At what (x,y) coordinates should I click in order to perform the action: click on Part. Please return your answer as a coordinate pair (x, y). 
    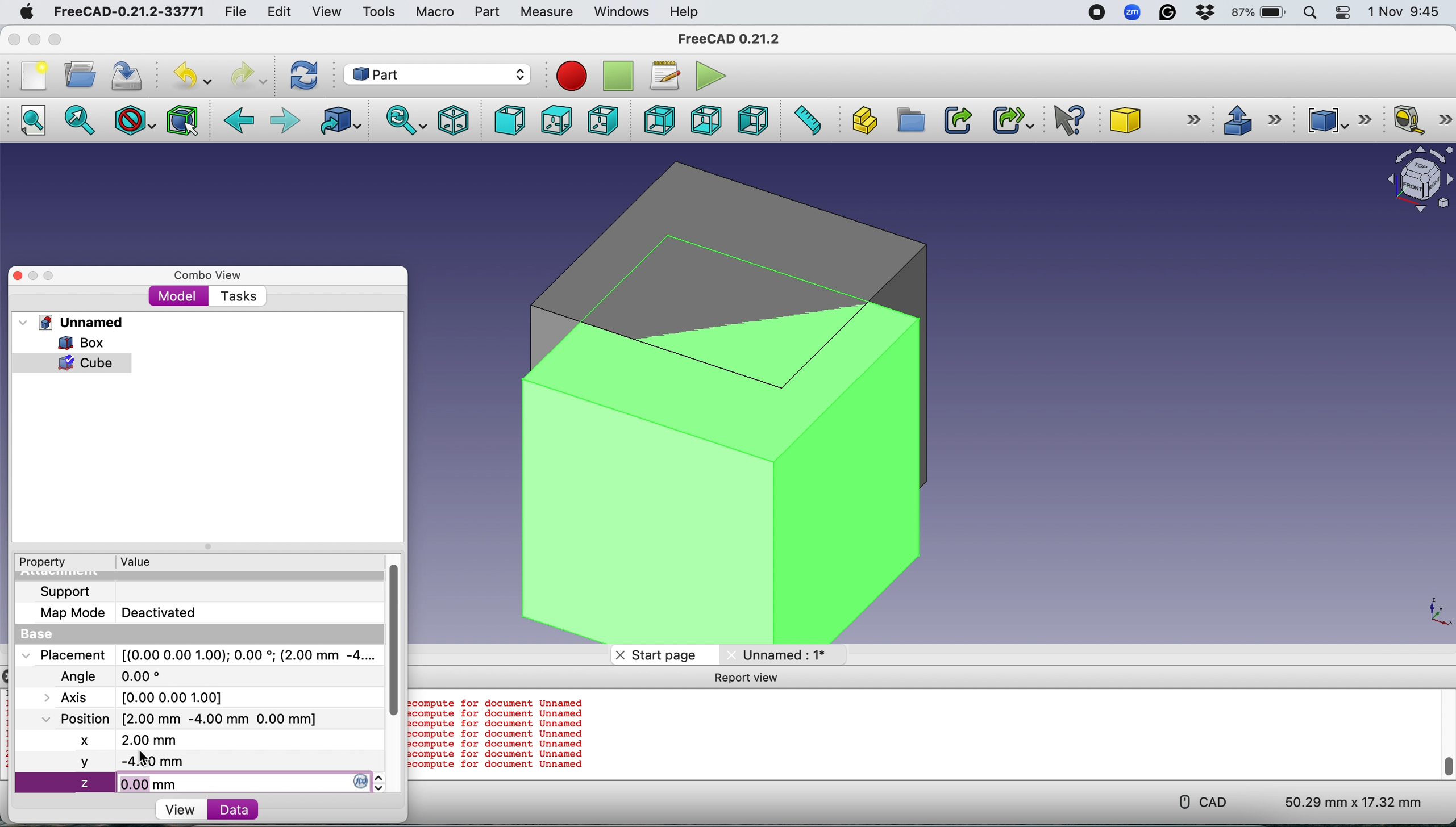
    Looking at the image, I should click on (486, 12).